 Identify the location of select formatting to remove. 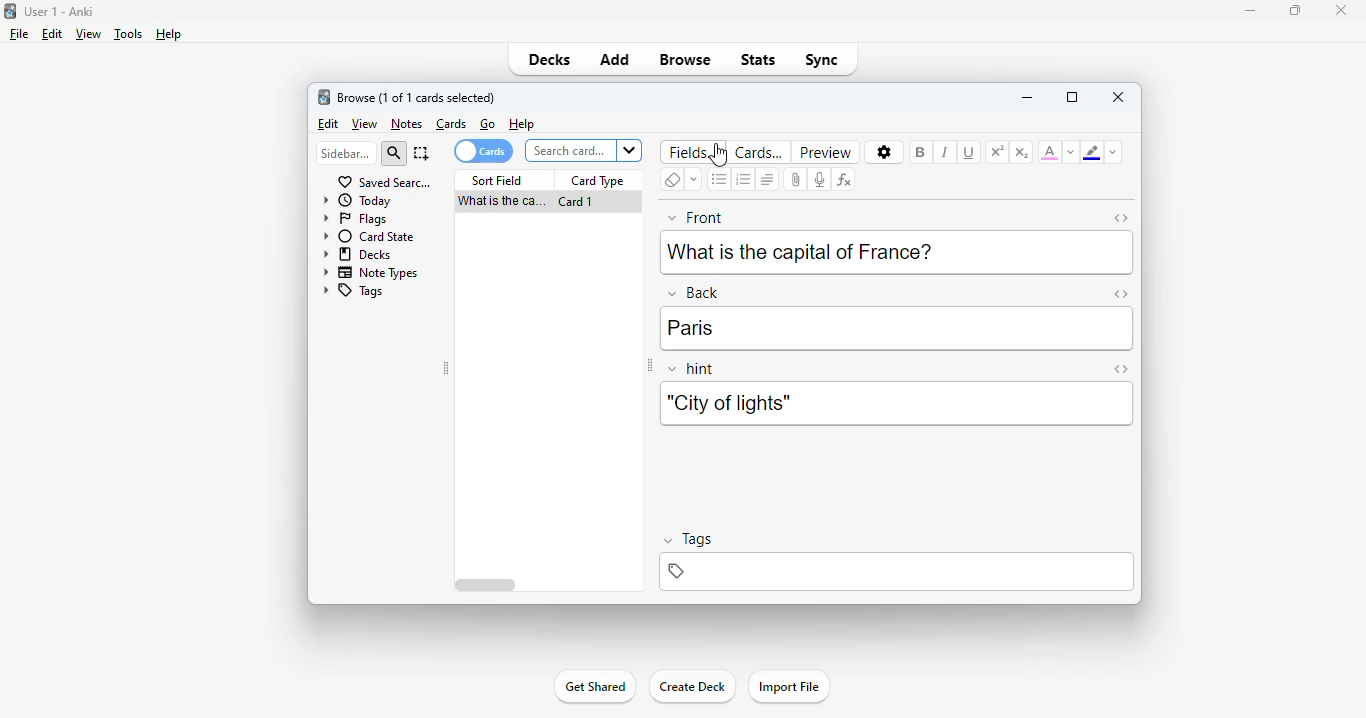
(694, 180).